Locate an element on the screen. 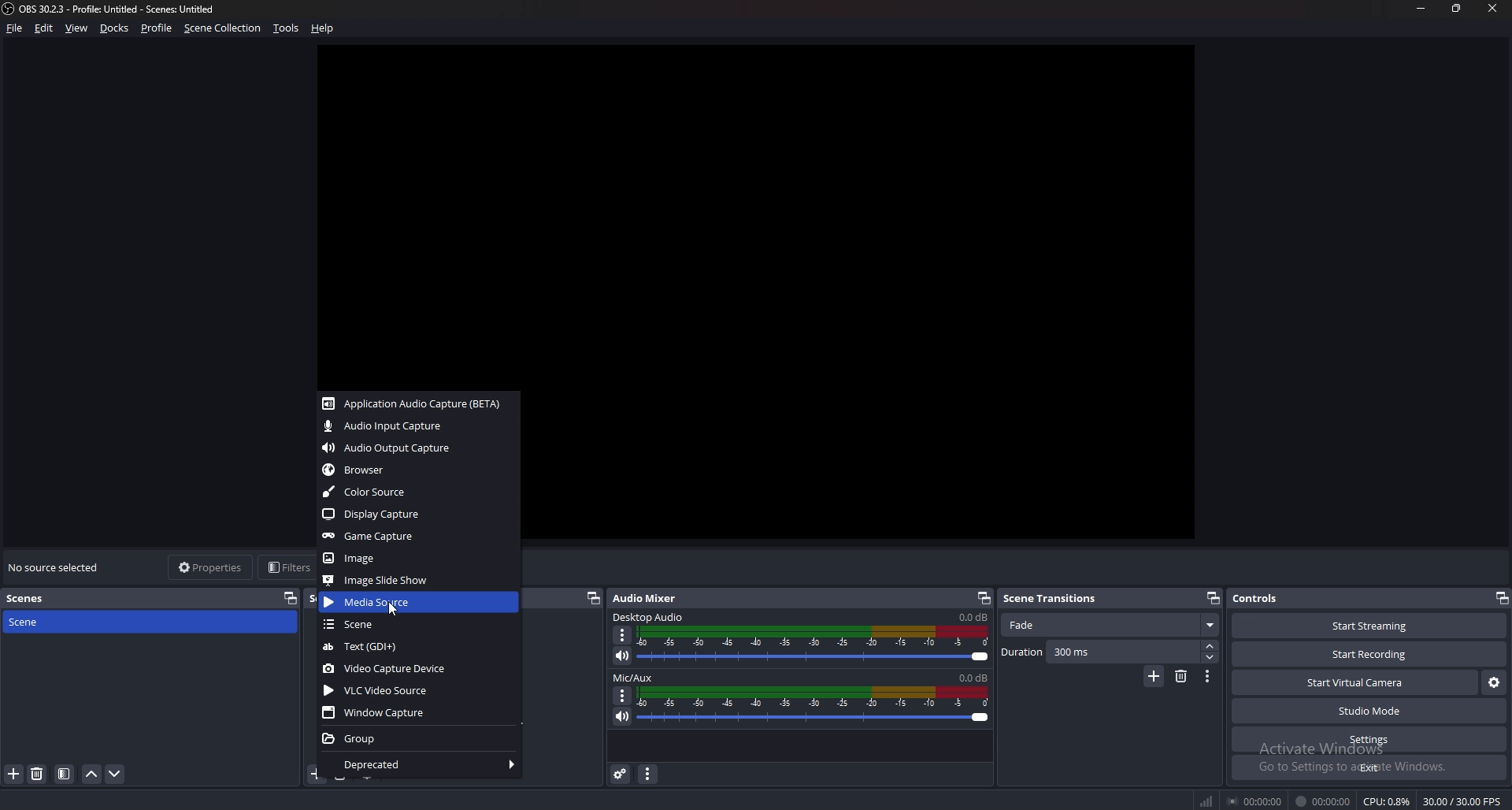  Signal is located at coordinates (1206, 801).